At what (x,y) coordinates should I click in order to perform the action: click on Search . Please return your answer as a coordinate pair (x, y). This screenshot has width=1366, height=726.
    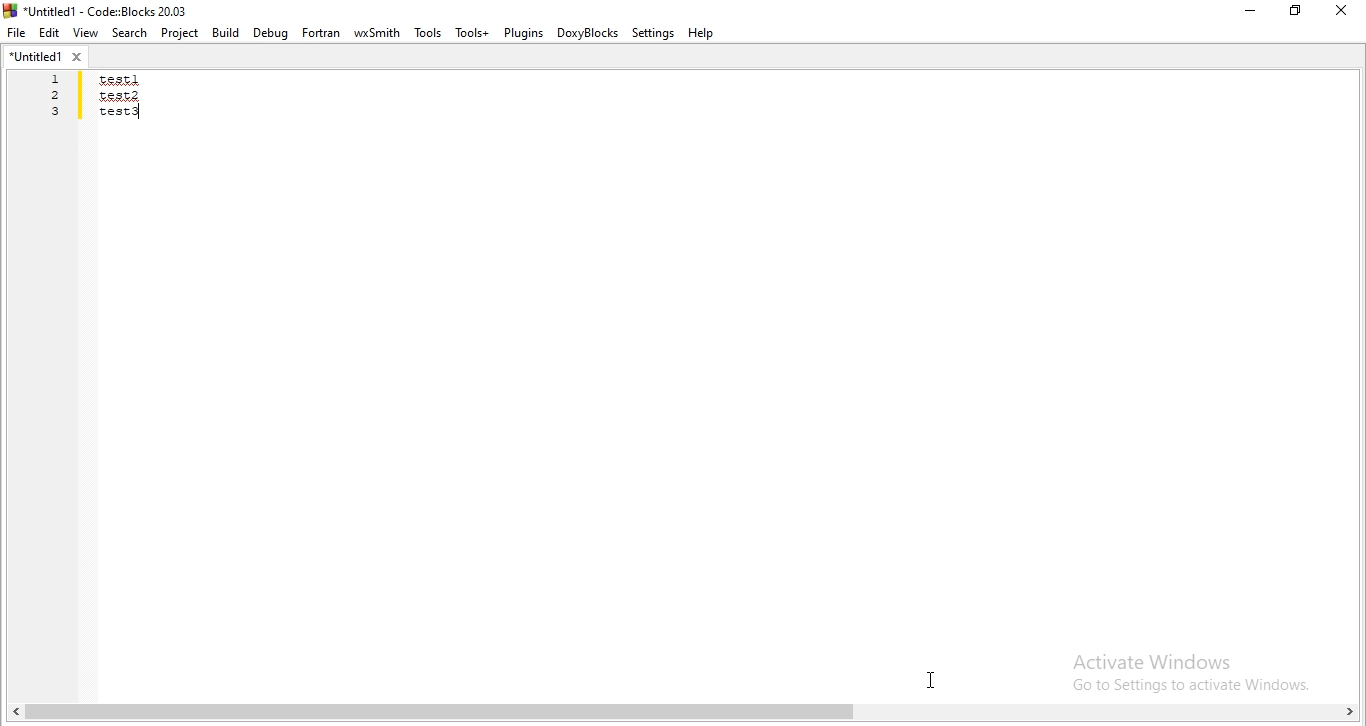
    Looking at the image, I should click on (130, 34).